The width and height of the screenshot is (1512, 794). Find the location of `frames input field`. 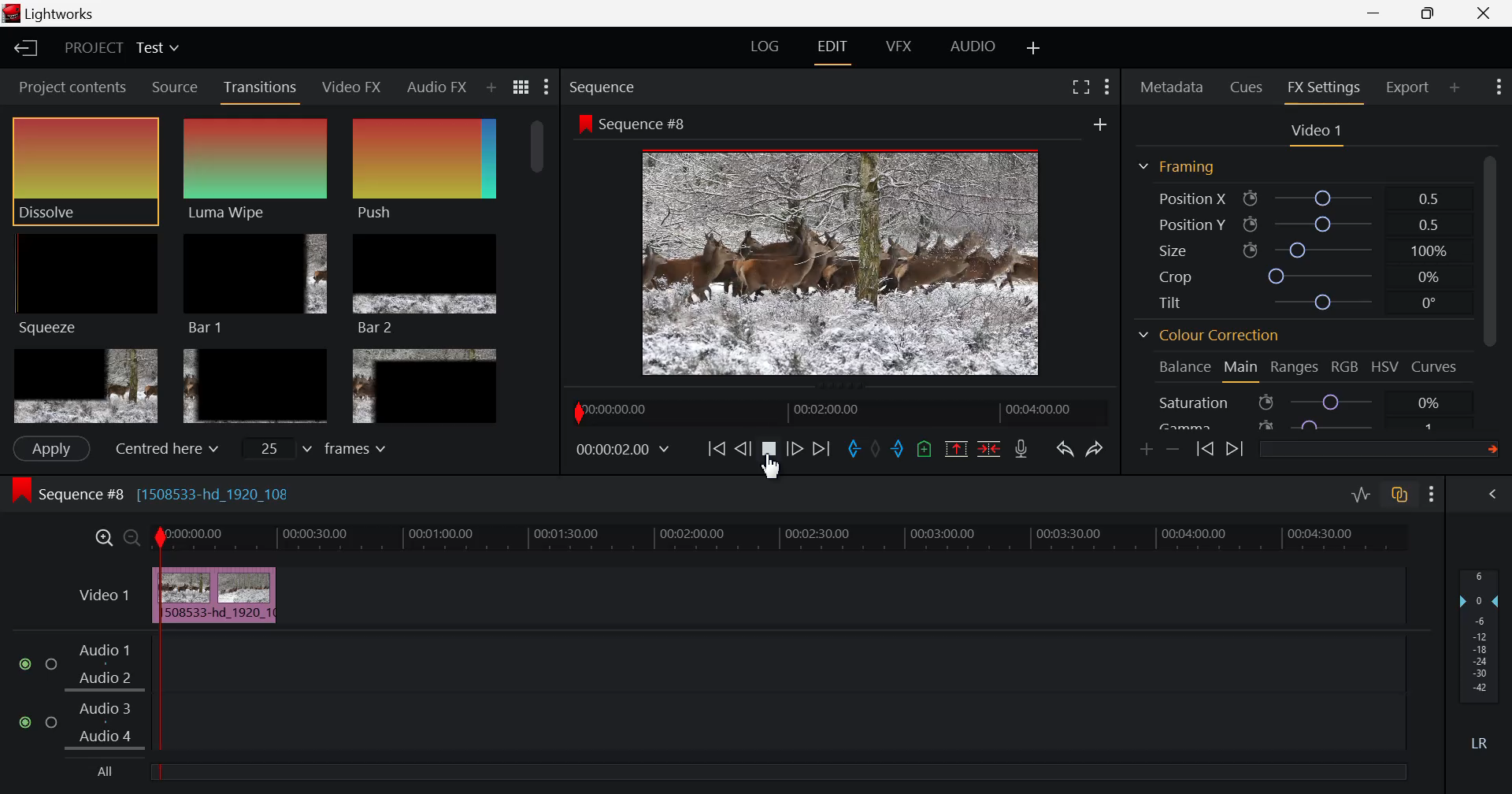

frames input field is located at coordinates (329, 447).